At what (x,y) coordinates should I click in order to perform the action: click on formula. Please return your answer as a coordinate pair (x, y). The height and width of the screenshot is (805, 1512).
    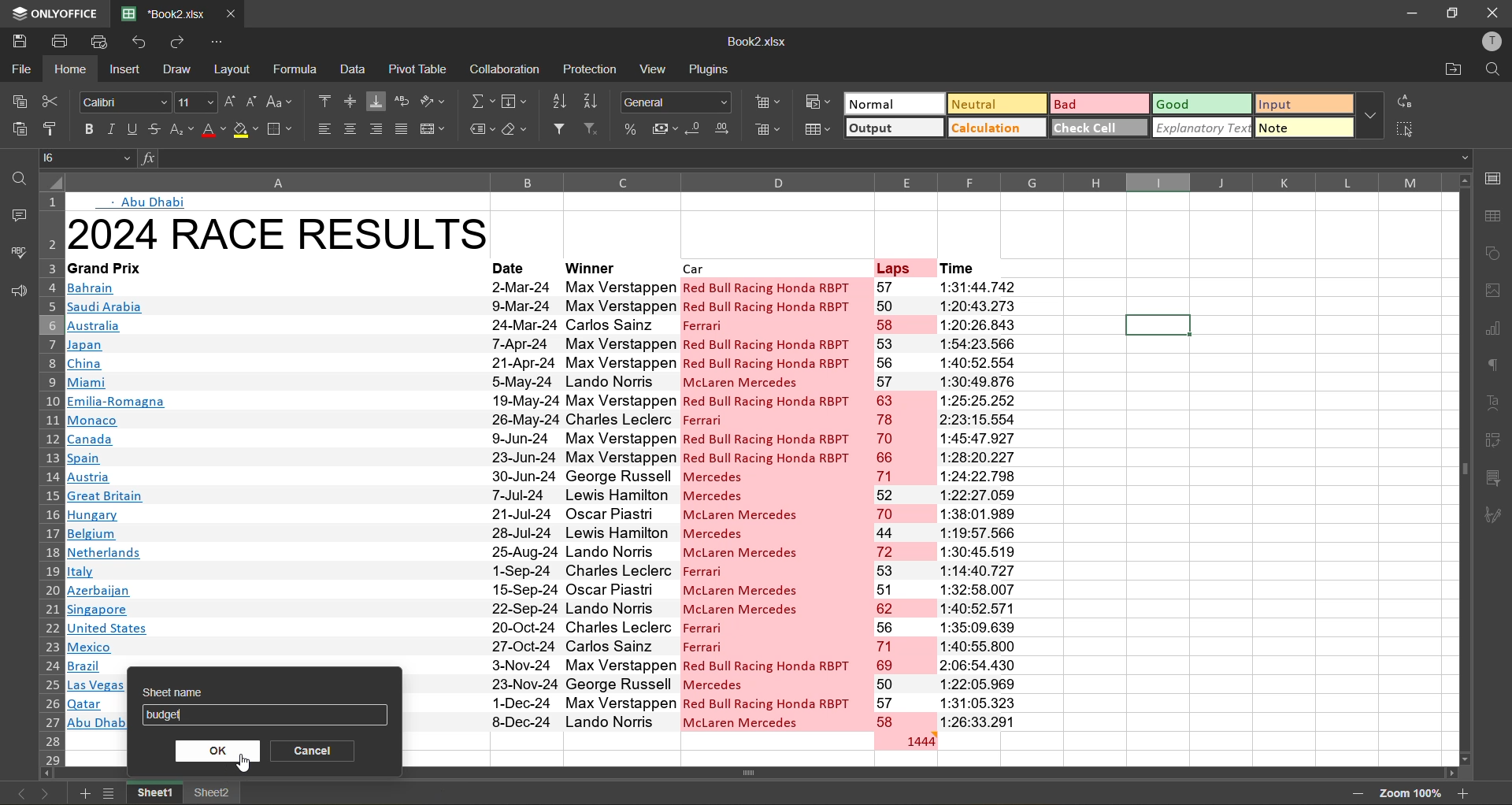
    Looking at the image, I should click on (295, 69).